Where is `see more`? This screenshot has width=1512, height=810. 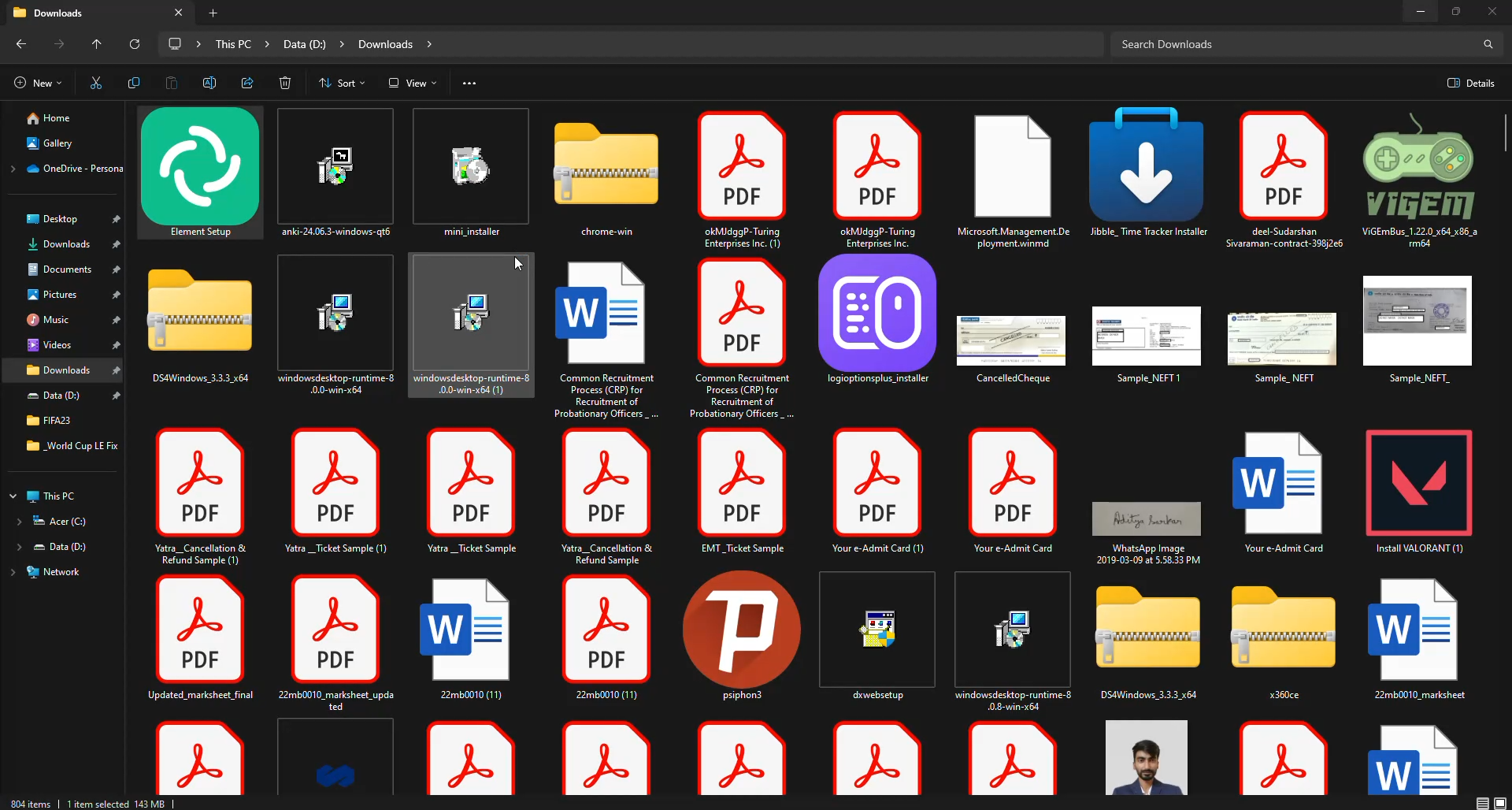
see more is located at coordinates (475, 84).